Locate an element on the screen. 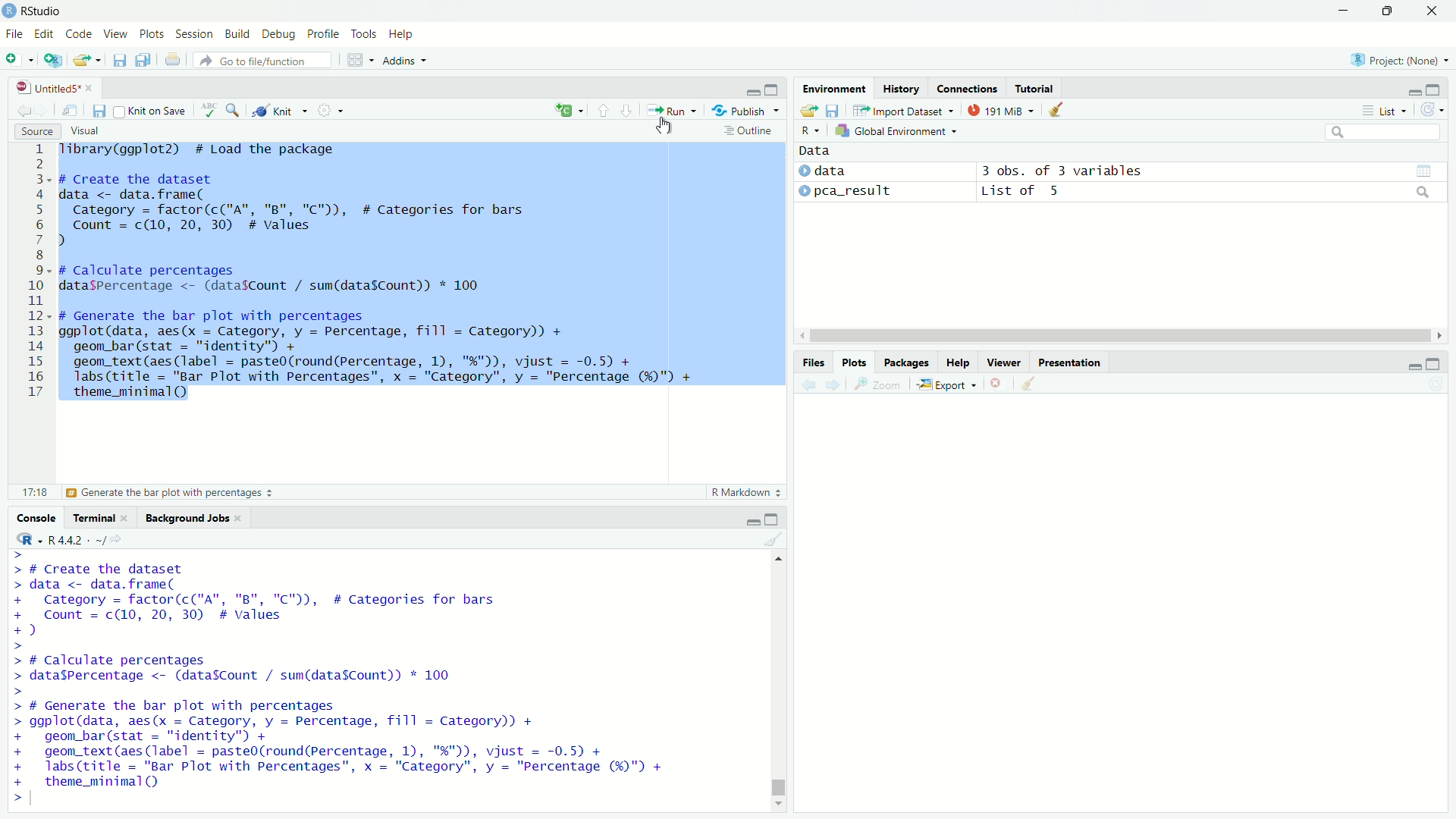 The height and width of the screenshot is (819, 1456). data1 : data is located at coordinates (856, 171).